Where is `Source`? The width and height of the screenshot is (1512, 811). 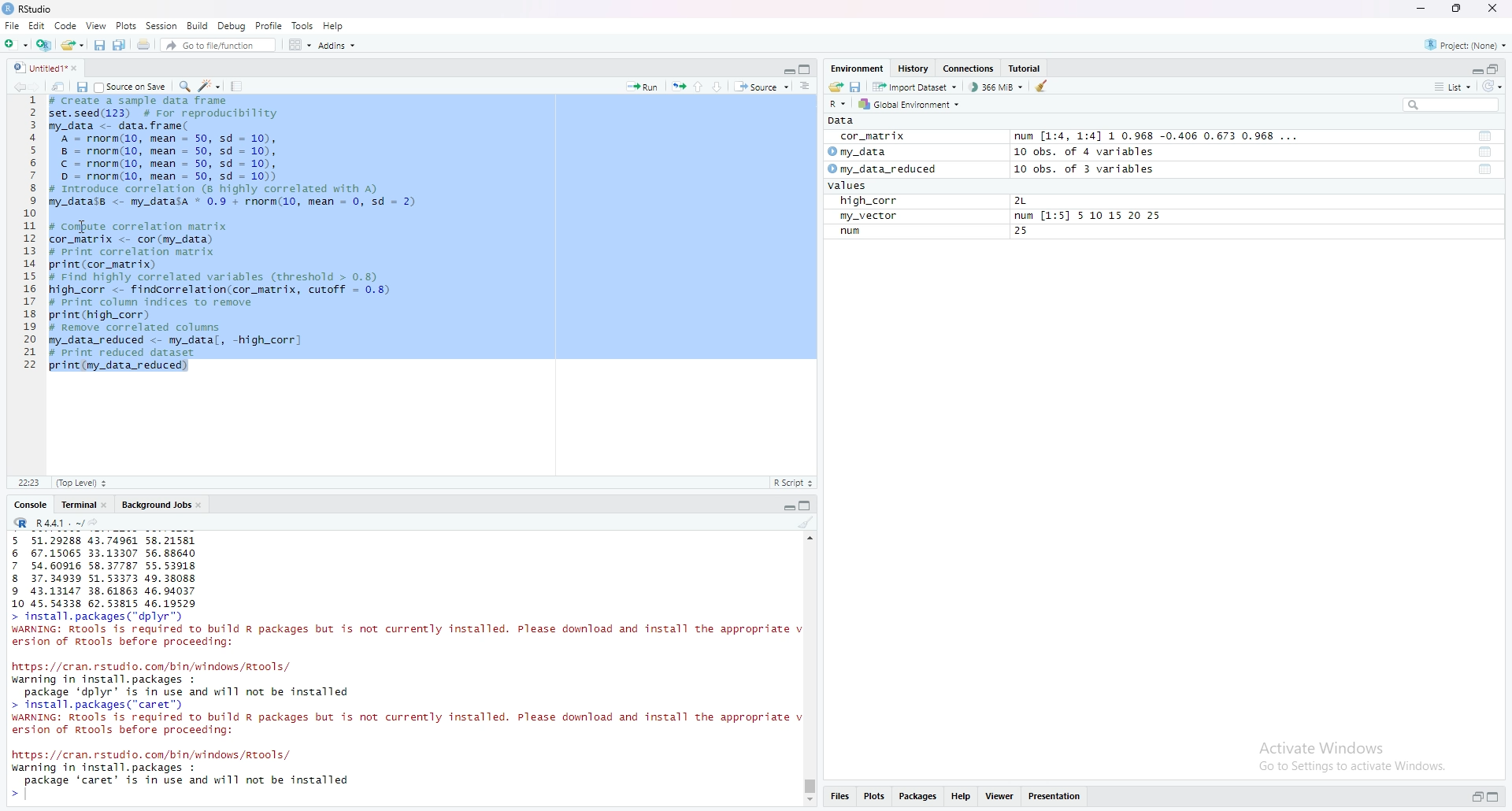
Source is located at coordinates (764, 87).